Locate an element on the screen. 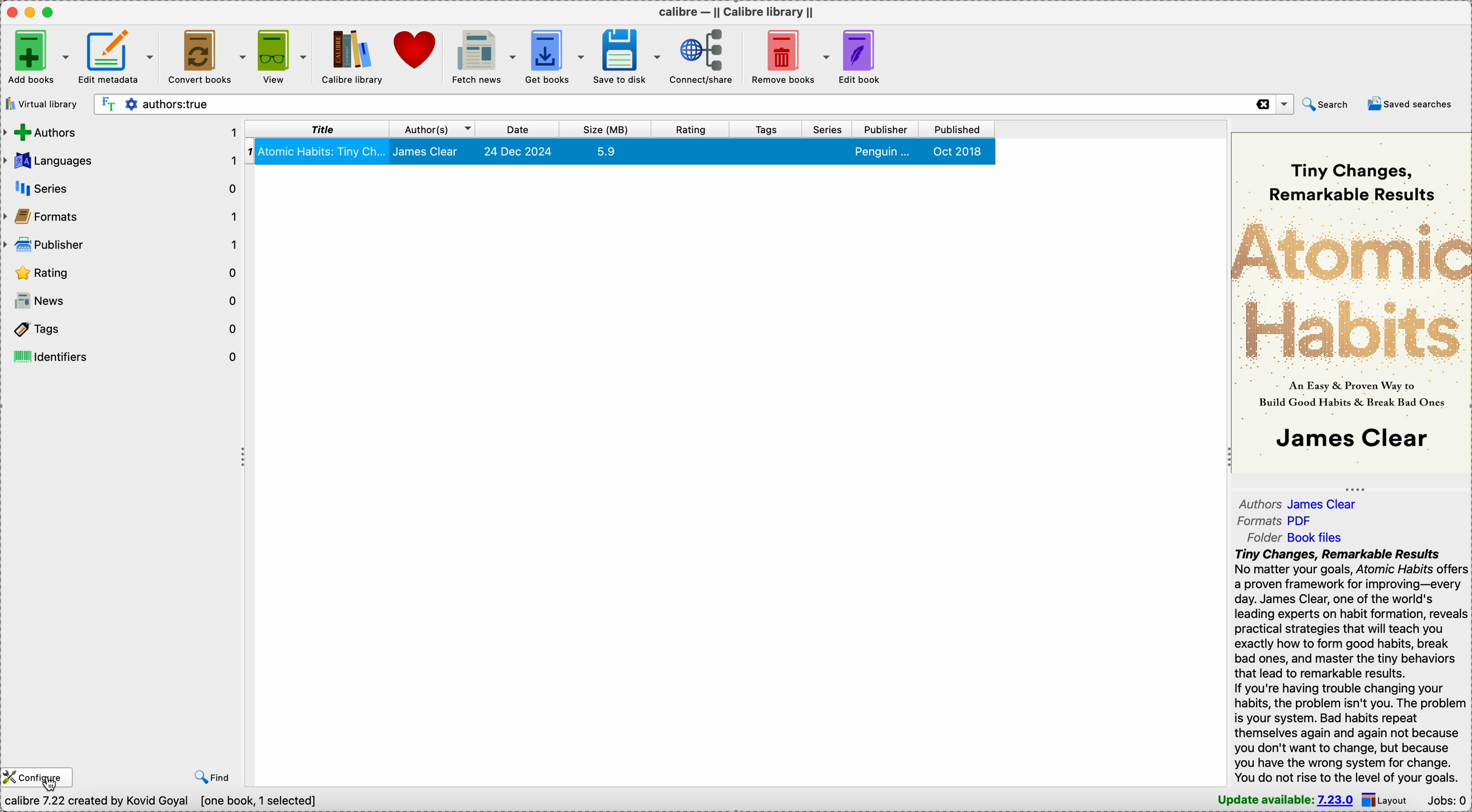  series is located at coordinates (122, 189).